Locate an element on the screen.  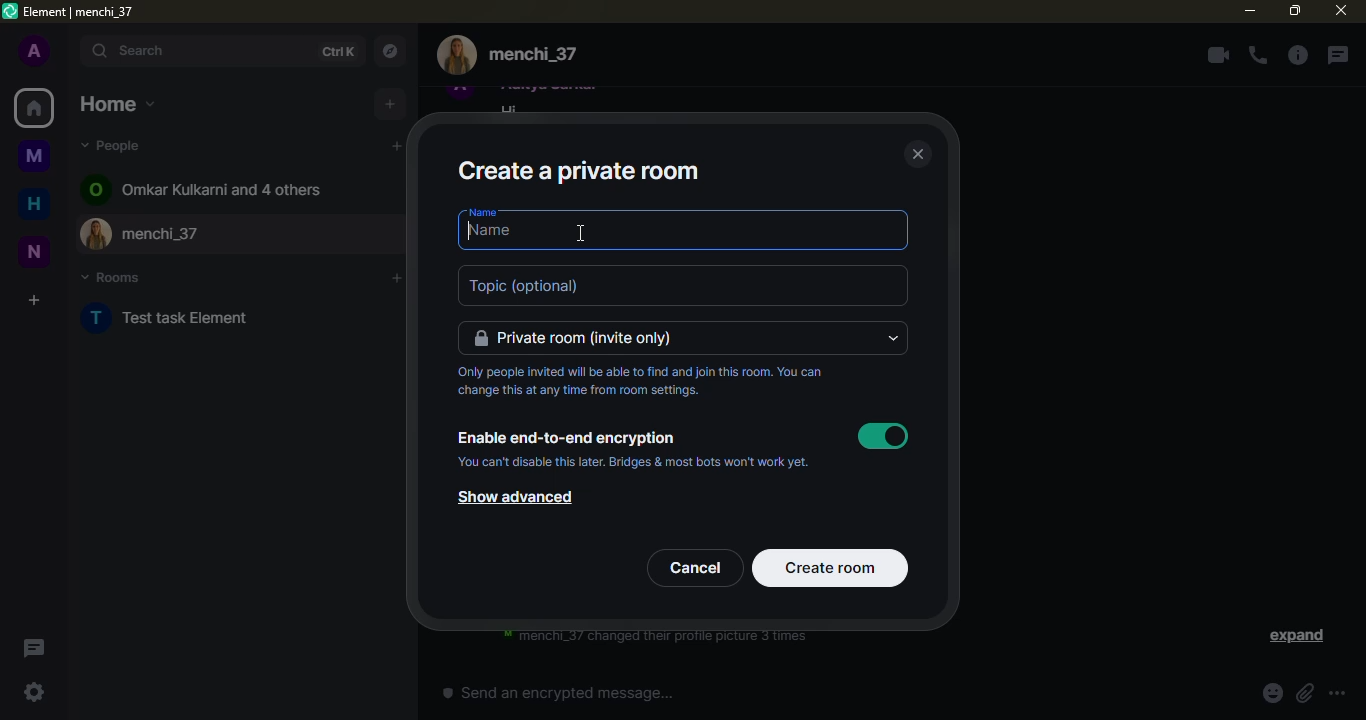
Send an encrypted message... is located at coordinates (558, 692).